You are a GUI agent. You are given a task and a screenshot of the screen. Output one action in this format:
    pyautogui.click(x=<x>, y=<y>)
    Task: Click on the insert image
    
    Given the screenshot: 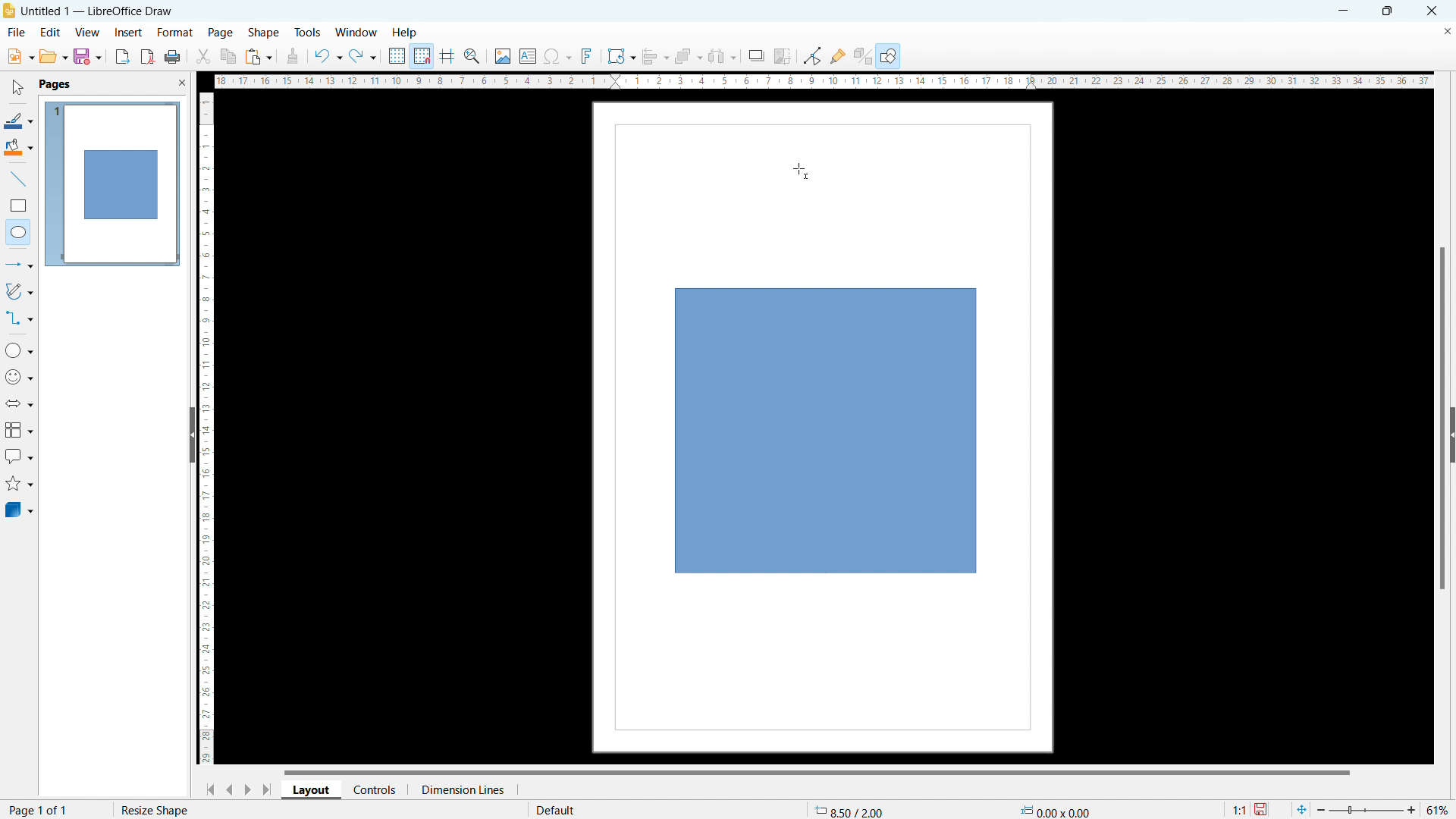 What is the action you would take?
    pyautogui.click(x=502, y=56)
    